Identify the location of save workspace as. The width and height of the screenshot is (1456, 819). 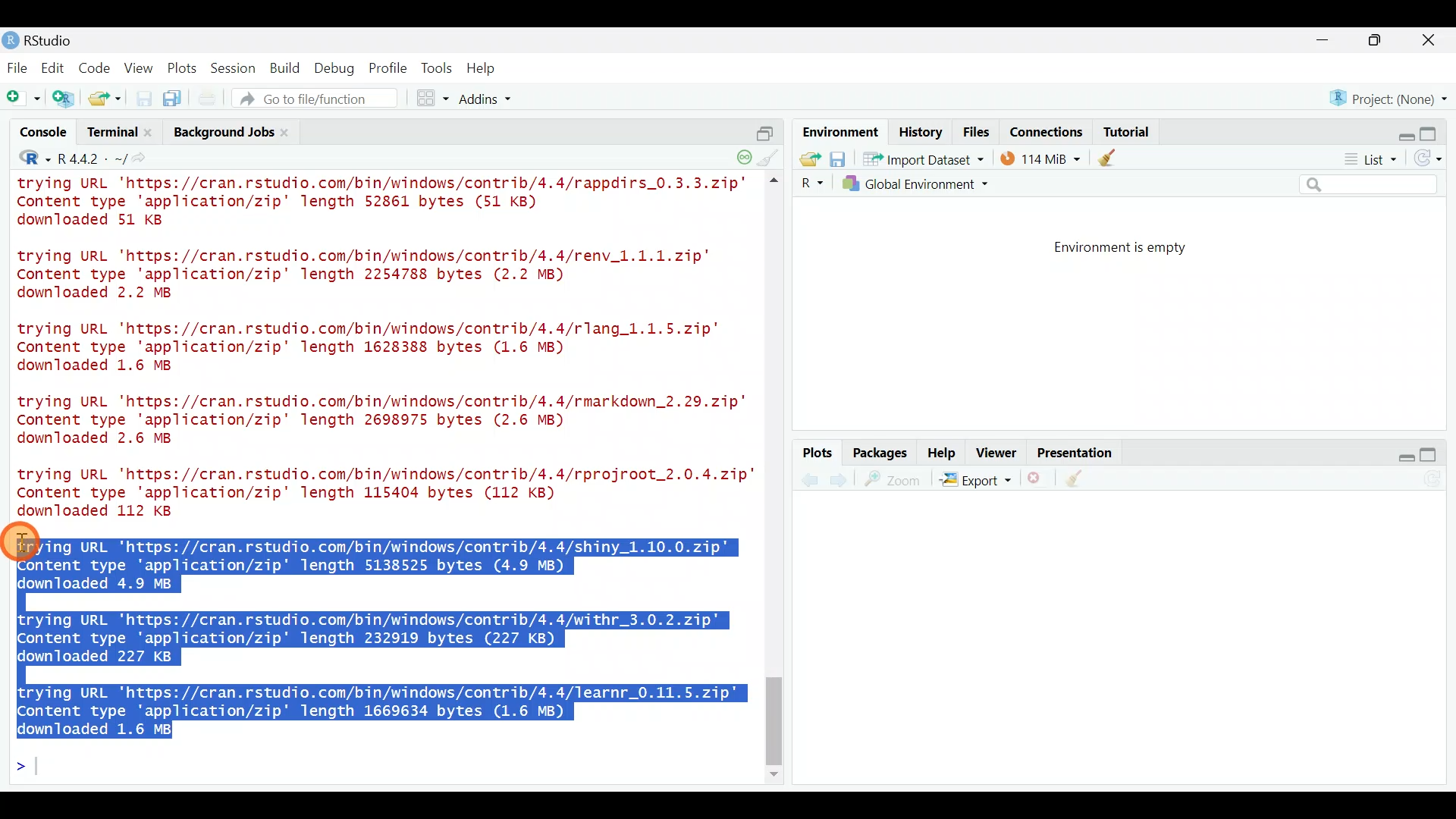
(838, 159).